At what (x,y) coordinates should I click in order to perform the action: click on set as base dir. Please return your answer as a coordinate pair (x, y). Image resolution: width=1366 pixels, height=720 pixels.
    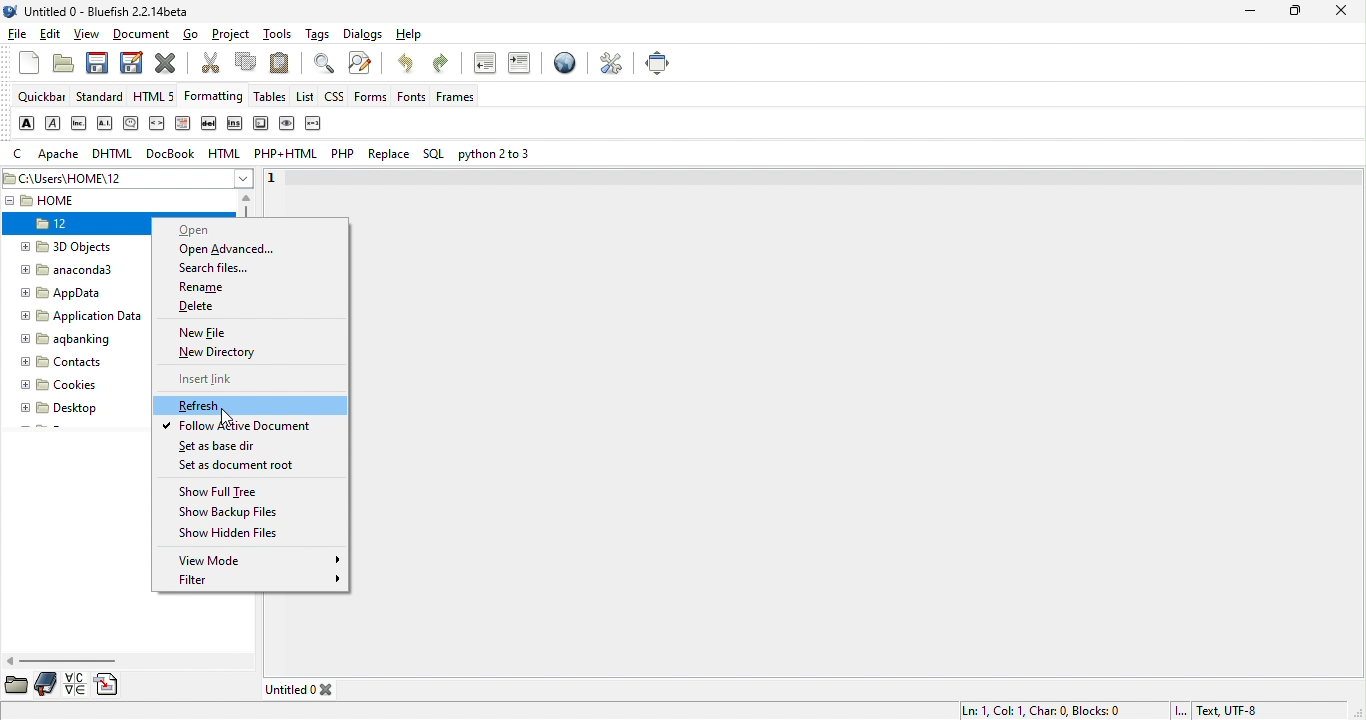
    Looking at the image, I should click on (228, 448).